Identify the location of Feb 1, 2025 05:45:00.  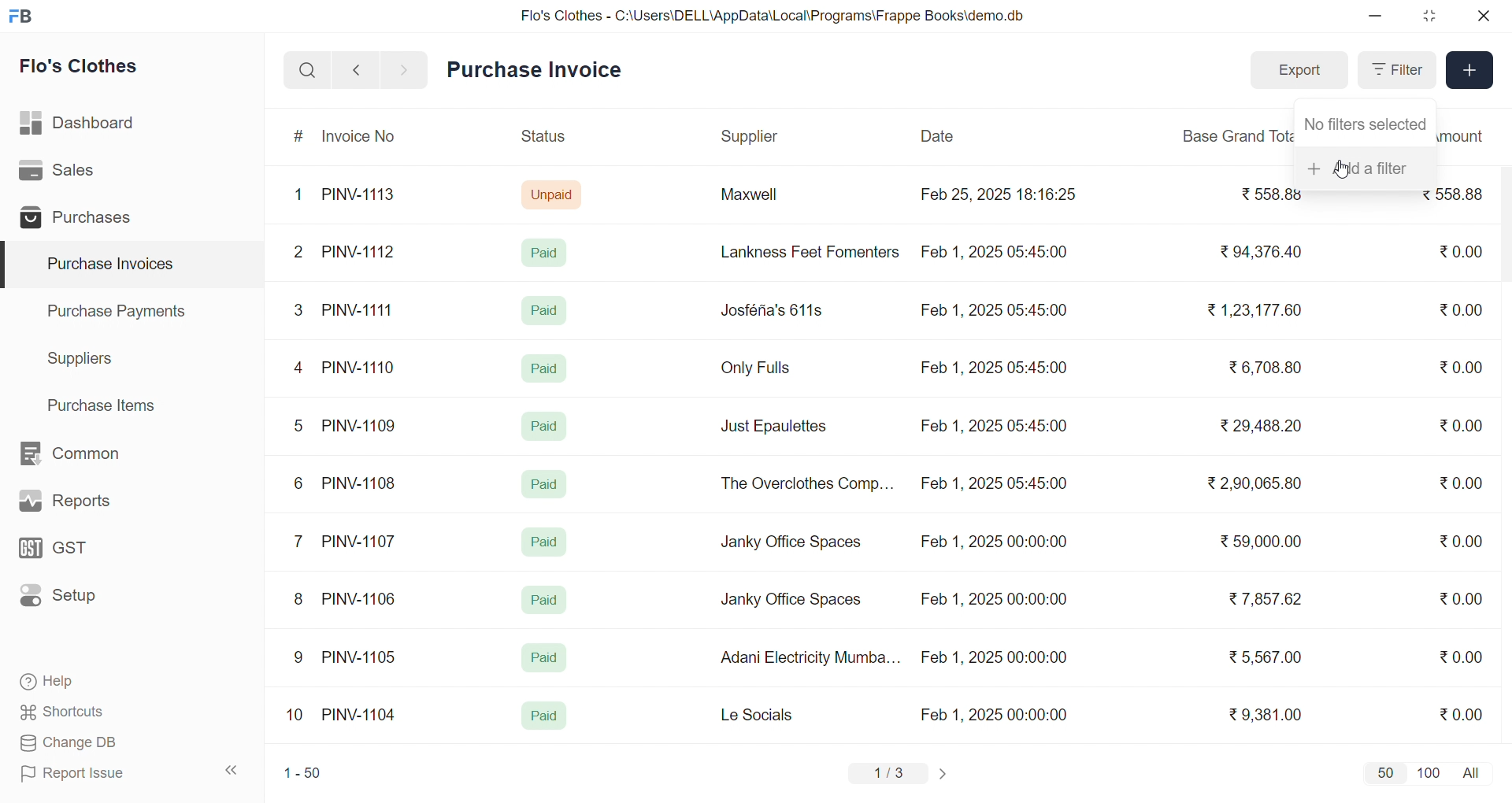
(996, 485).